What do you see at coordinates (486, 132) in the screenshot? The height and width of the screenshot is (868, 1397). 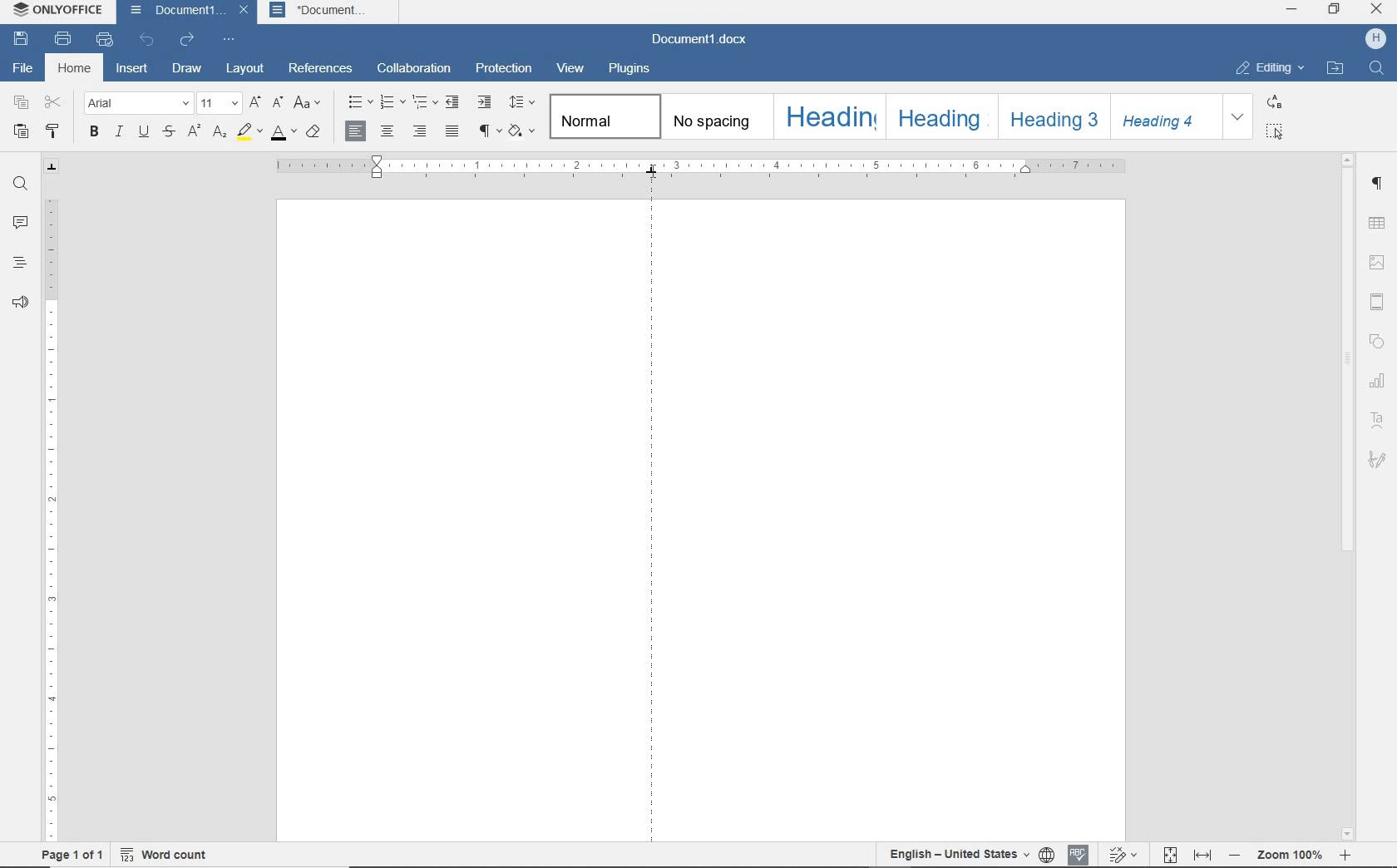 I see `NONPRINTING CHARACTERS` at bounding box center [486, 132].